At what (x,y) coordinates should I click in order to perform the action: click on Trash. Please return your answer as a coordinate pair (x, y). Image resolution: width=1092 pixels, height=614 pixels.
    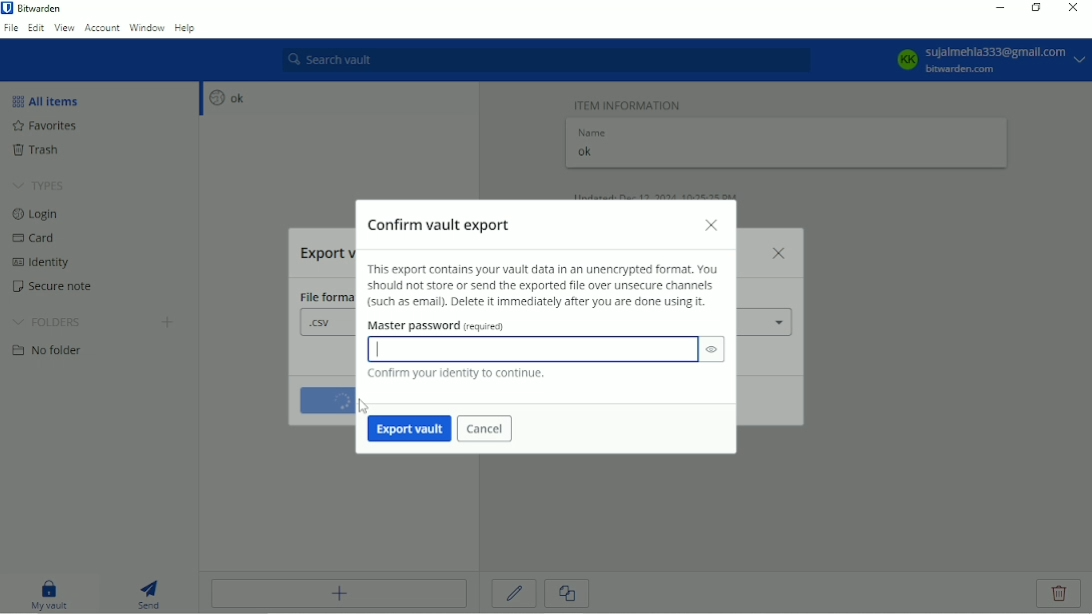
    Looking at the image, I should click on (47, 151).